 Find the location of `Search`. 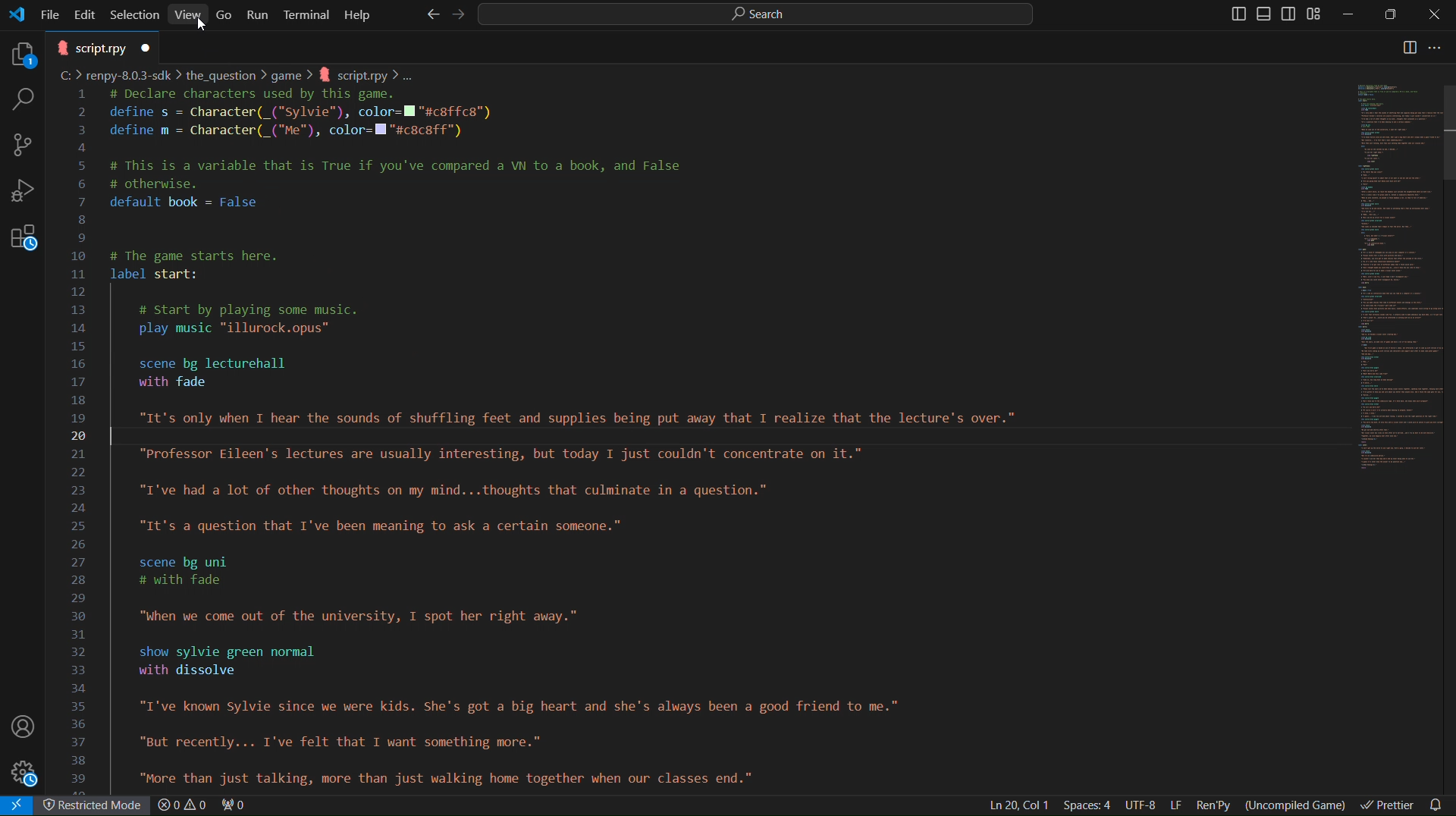

Search is located at coordinates (20, 99).